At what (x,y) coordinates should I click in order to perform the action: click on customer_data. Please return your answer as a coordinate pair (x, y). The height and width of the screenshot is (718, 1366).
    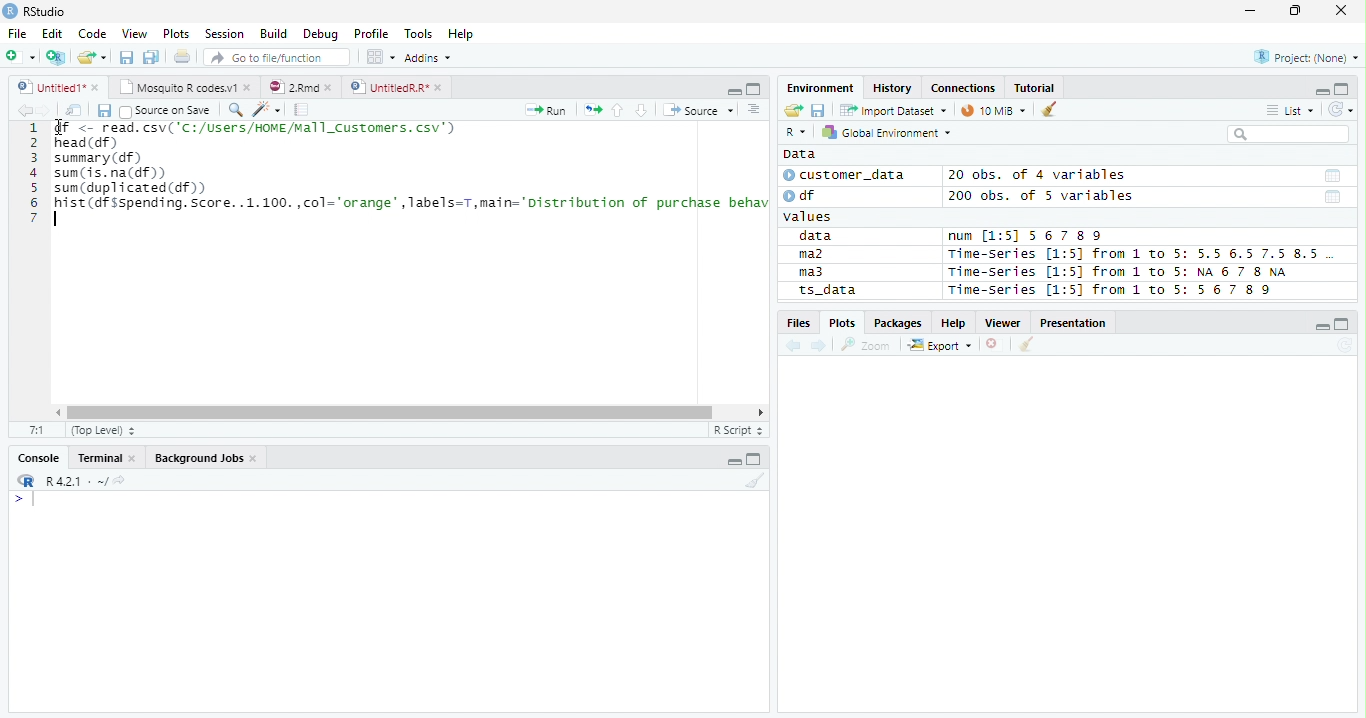
    Looking at the image, I should click on (848, 175).